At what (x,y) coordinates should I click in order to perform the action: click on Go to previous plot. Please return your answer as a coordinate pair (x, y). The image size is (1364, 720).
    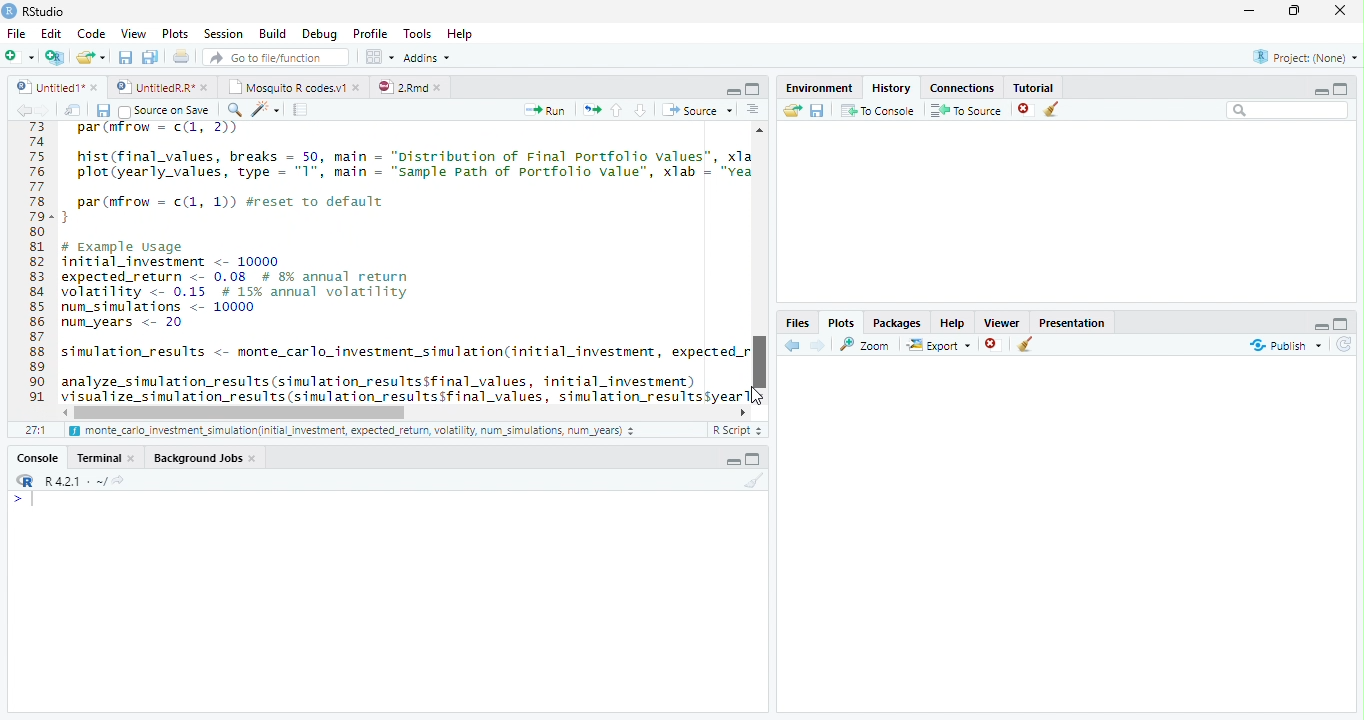
    Looking at the image, I should click on (793, 345).